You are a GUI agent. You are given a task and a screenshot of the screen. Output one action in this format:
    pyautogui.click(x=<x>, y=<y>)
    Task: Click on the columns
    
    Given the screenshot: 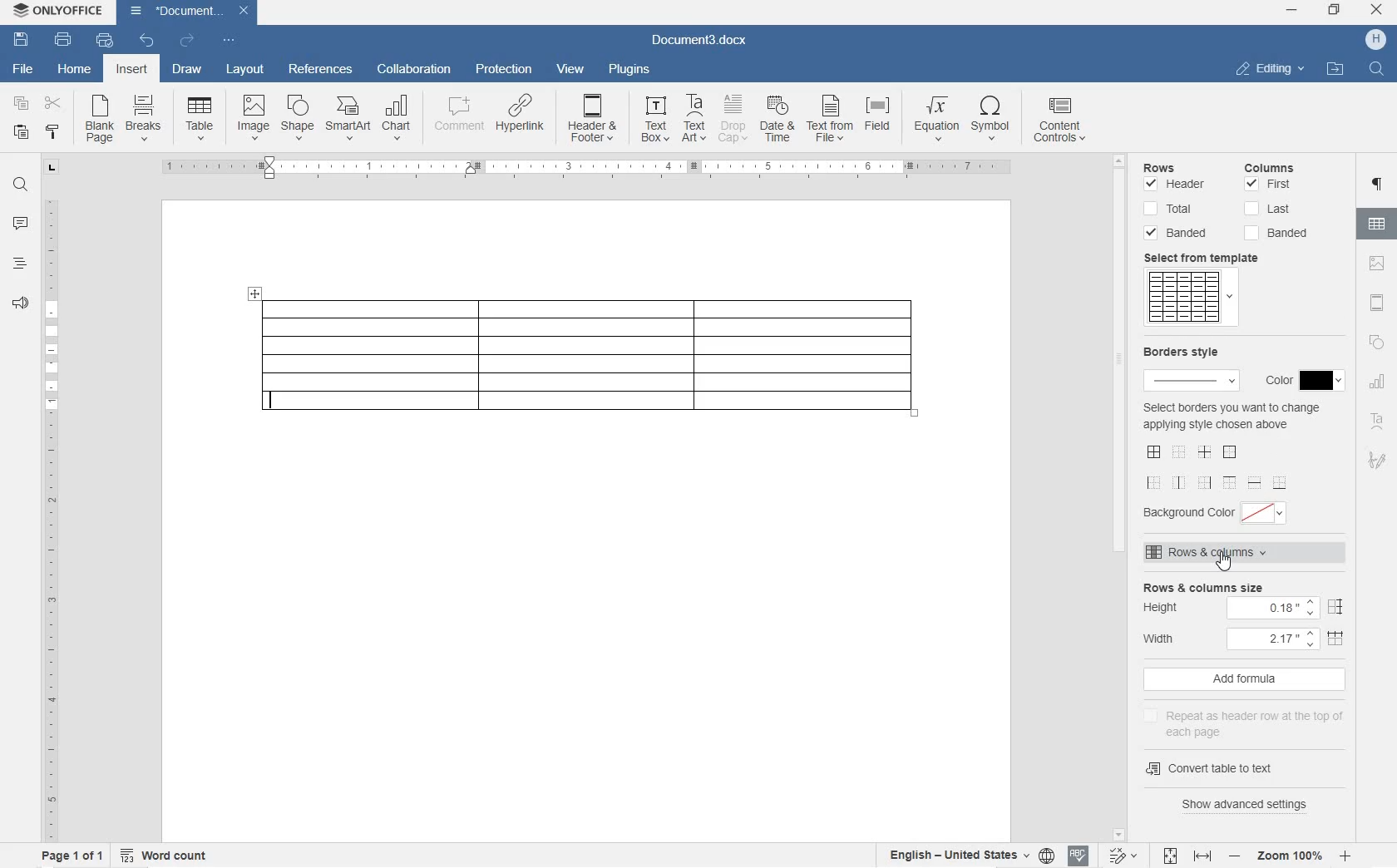 What is the action you would take?
    pyautogui.click(x=1279, y=165)
    